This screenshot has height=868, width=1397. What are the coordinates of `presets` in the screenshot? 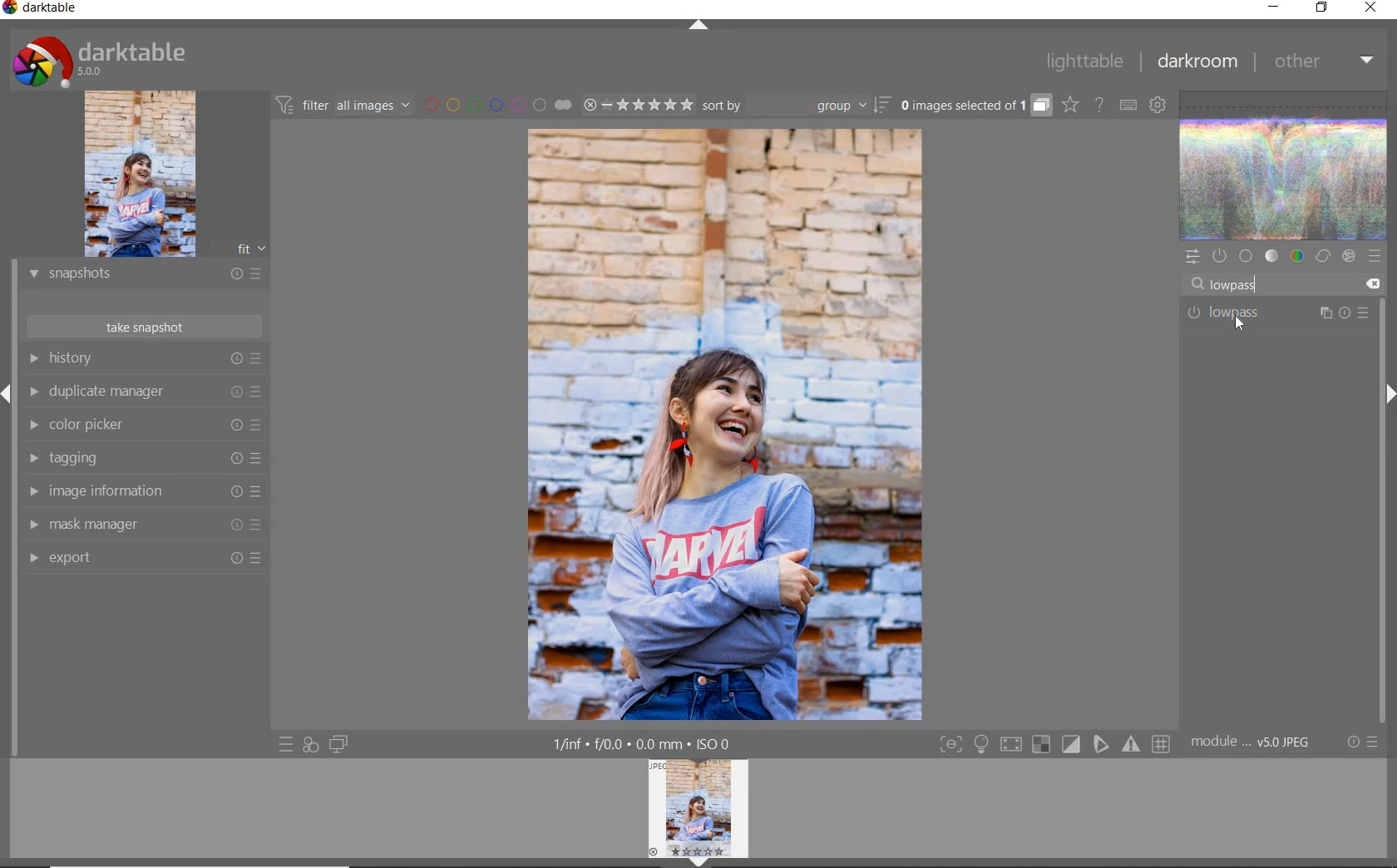 It's located at (1375, 256).